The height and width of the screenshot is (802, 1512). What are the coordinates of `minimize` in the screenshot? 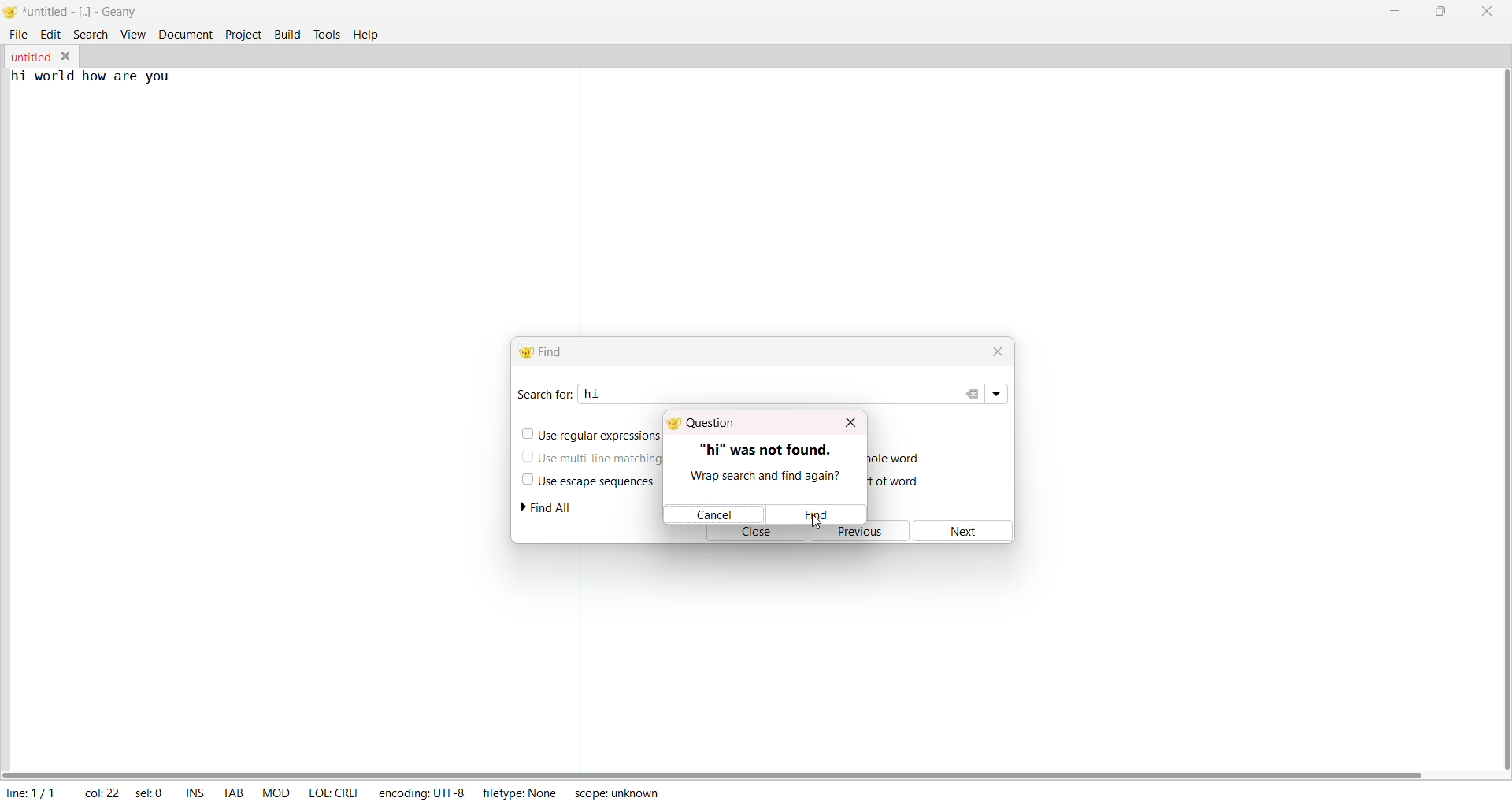 It's located at (1393, 10).